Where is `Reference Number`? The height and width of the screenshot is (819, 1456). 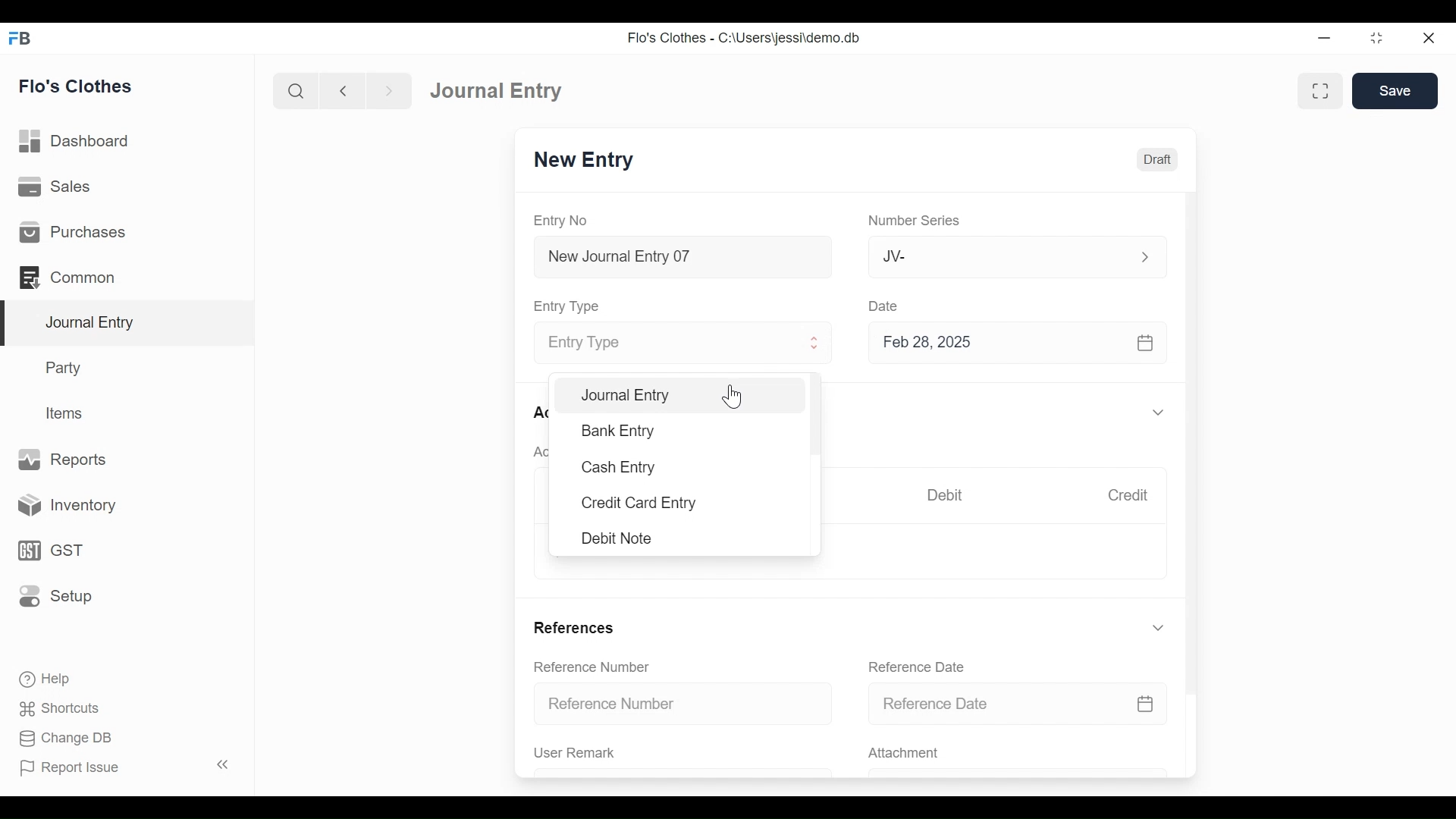
Reference Number is located at coordinates (593, 668).